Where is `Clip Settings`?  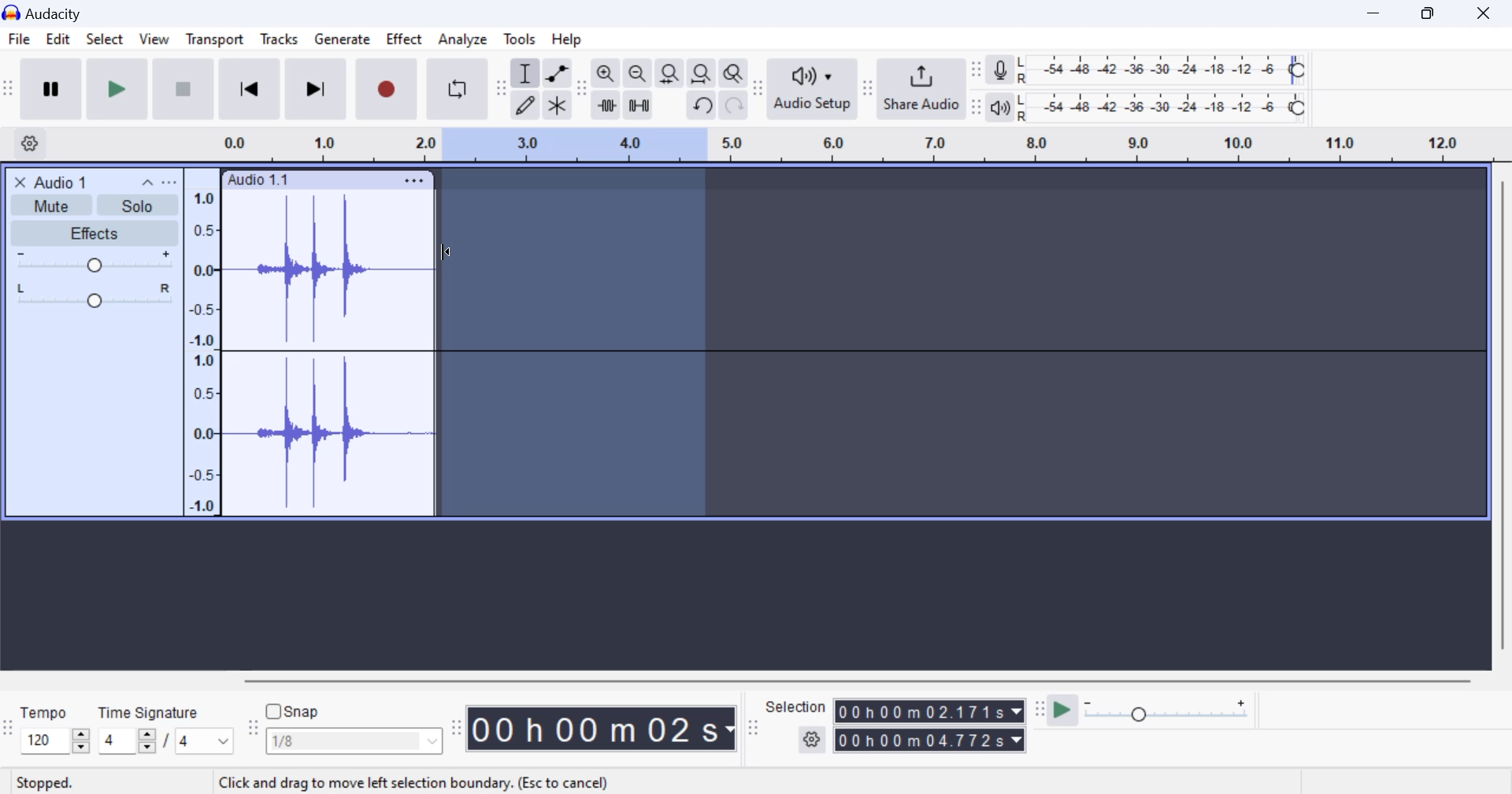
Clip Settings is located at coordinates (414, 180).